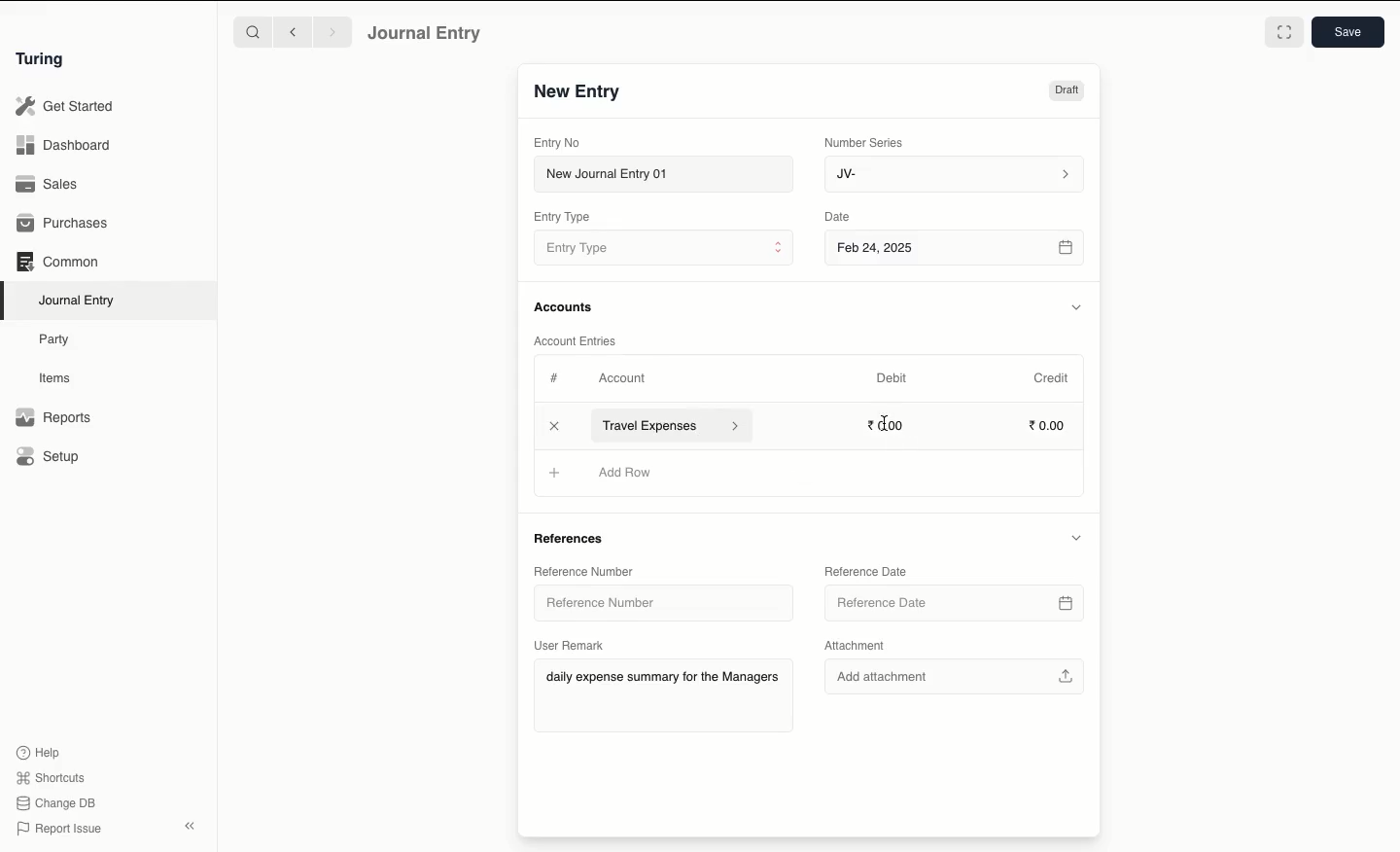 The image size is (1400, 852). Describe the element at coordinates (892, 378) in the screenshot. I see `Debit` at that location.